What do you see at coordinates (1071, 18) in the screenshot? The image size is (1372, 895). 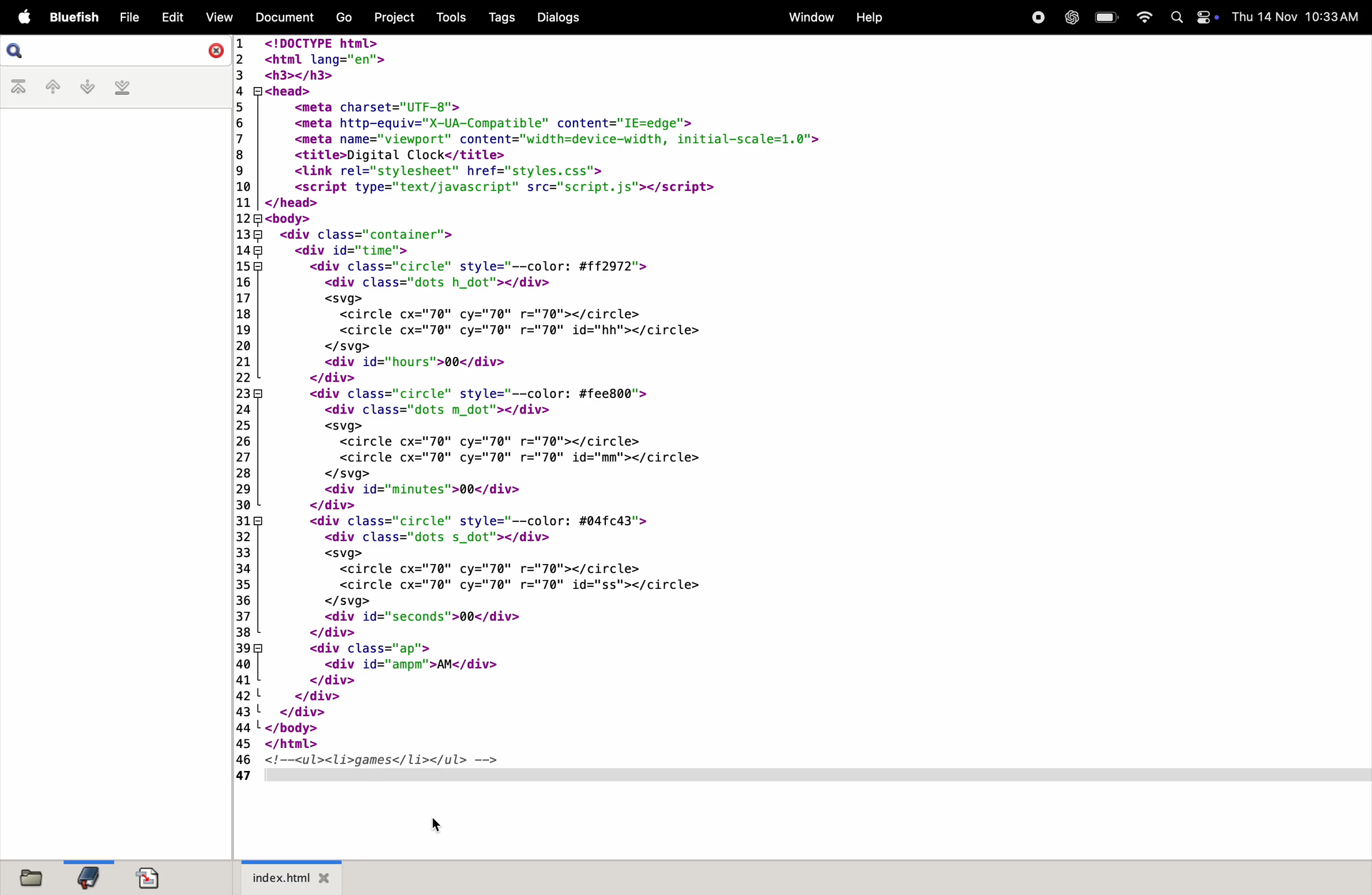 I see `chatgpt` at bounding box center [1071, 18].